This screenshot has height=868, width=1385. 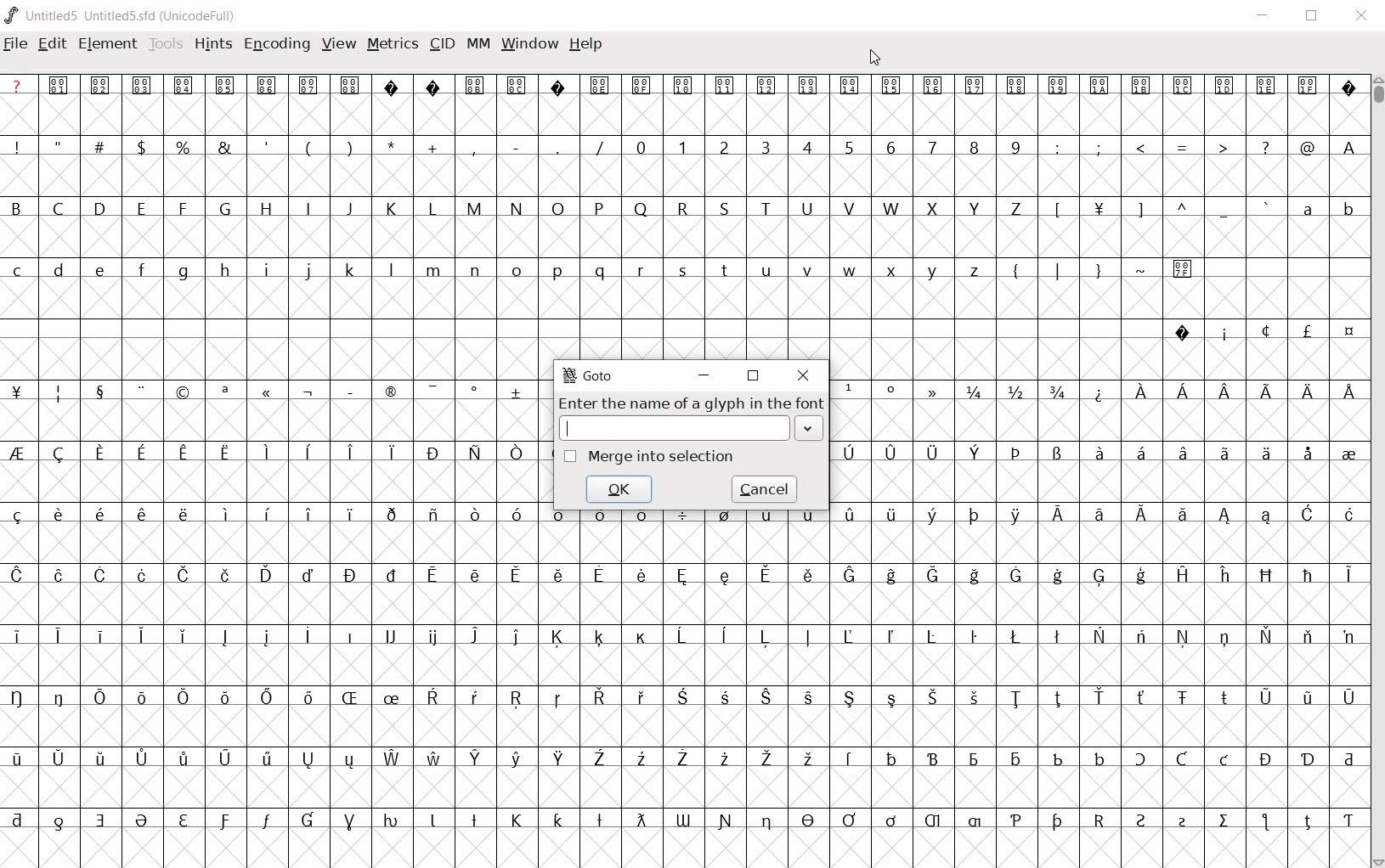 What do you see at coordinates (53, 45) in the screenshot?
I see `edit` at bounding box center [53, 45].